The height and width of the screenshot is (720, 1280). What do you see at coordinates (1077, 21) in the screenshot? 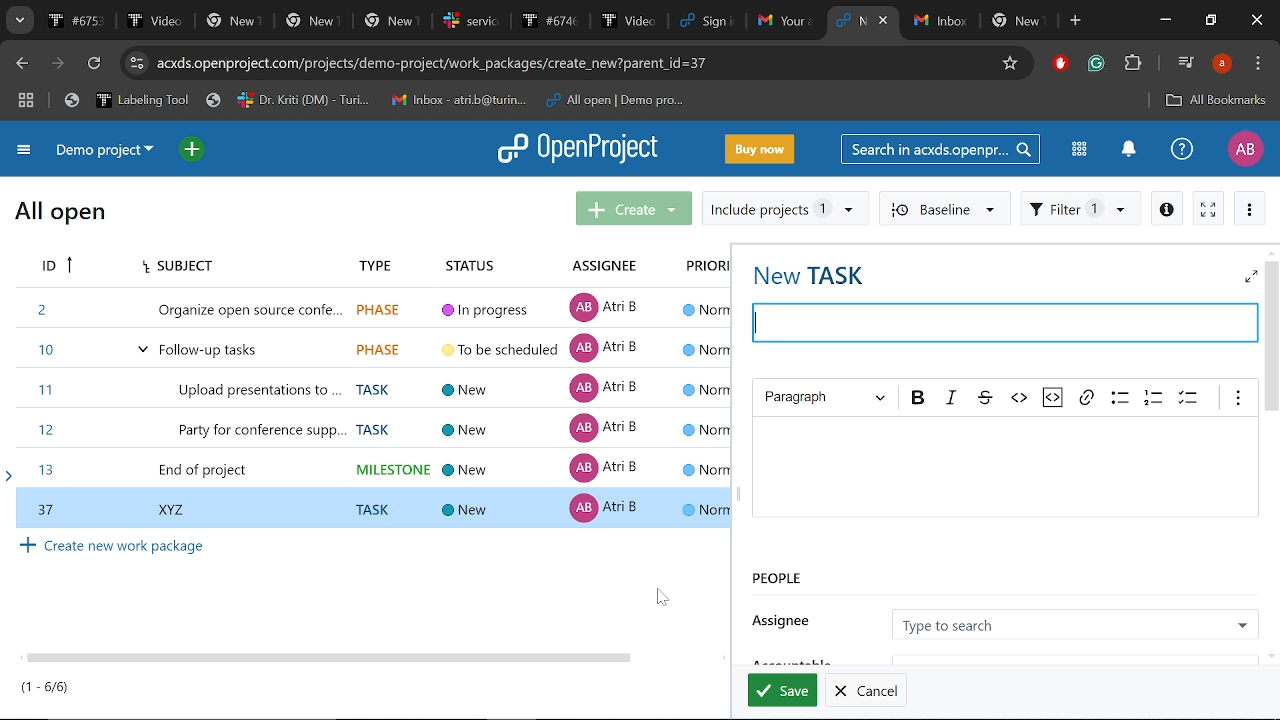
I see `Add new tab` at bounding box center [1077, 21].